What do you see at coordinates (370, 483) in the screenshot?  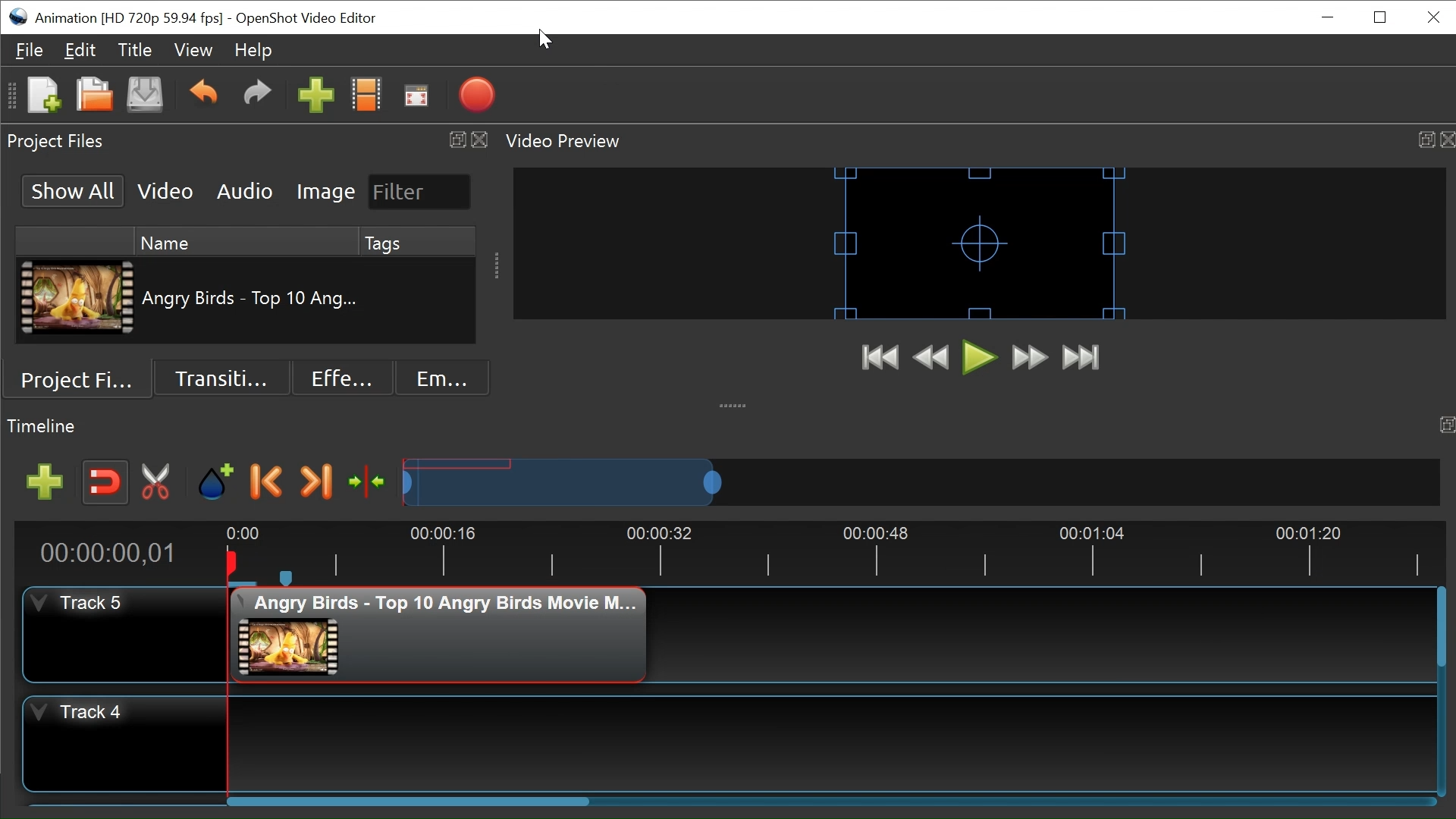 I see `Center the timeline on the playead` at bounding box center [370, 483].